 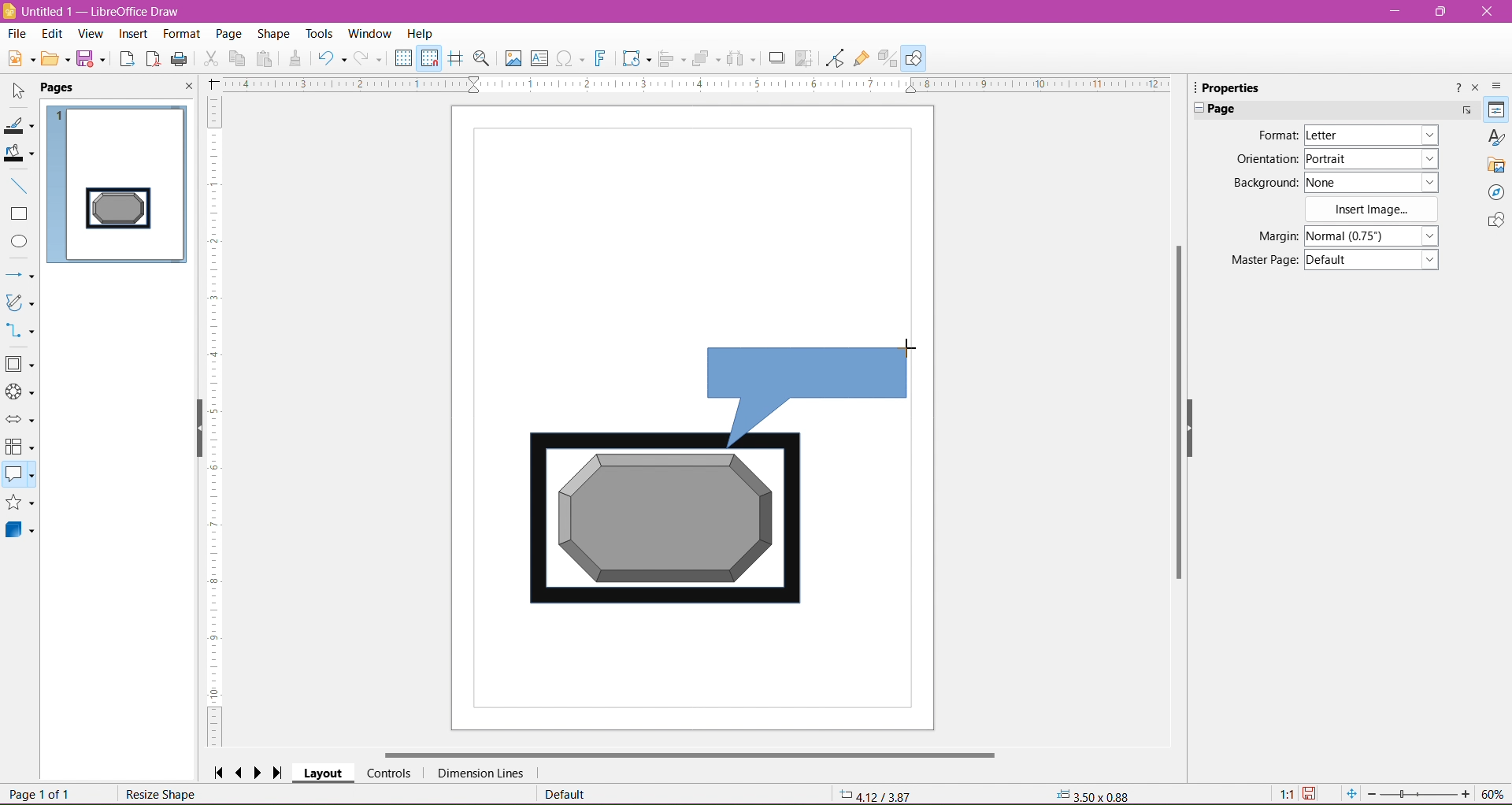 I want to click on Insert Fontwork Text, so click(x=602, y=60).